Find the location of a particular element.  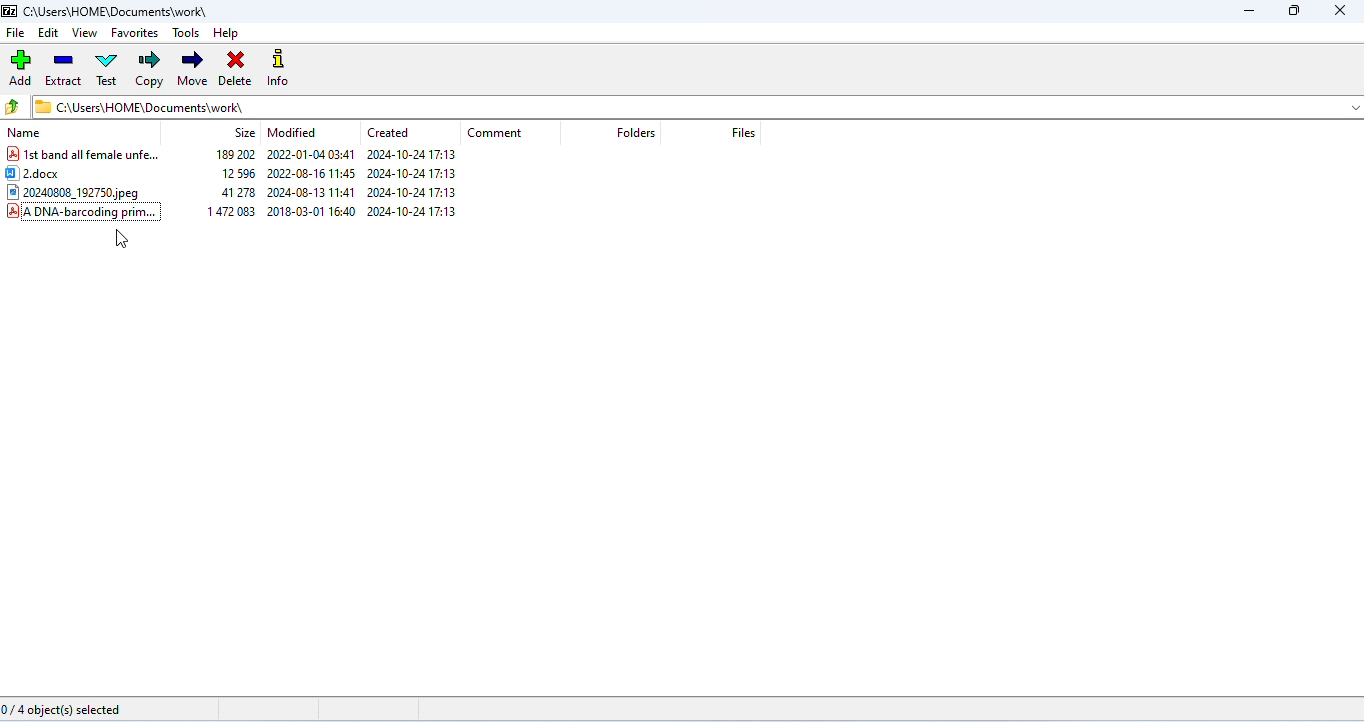

close is located at coordinates (1338, 11).